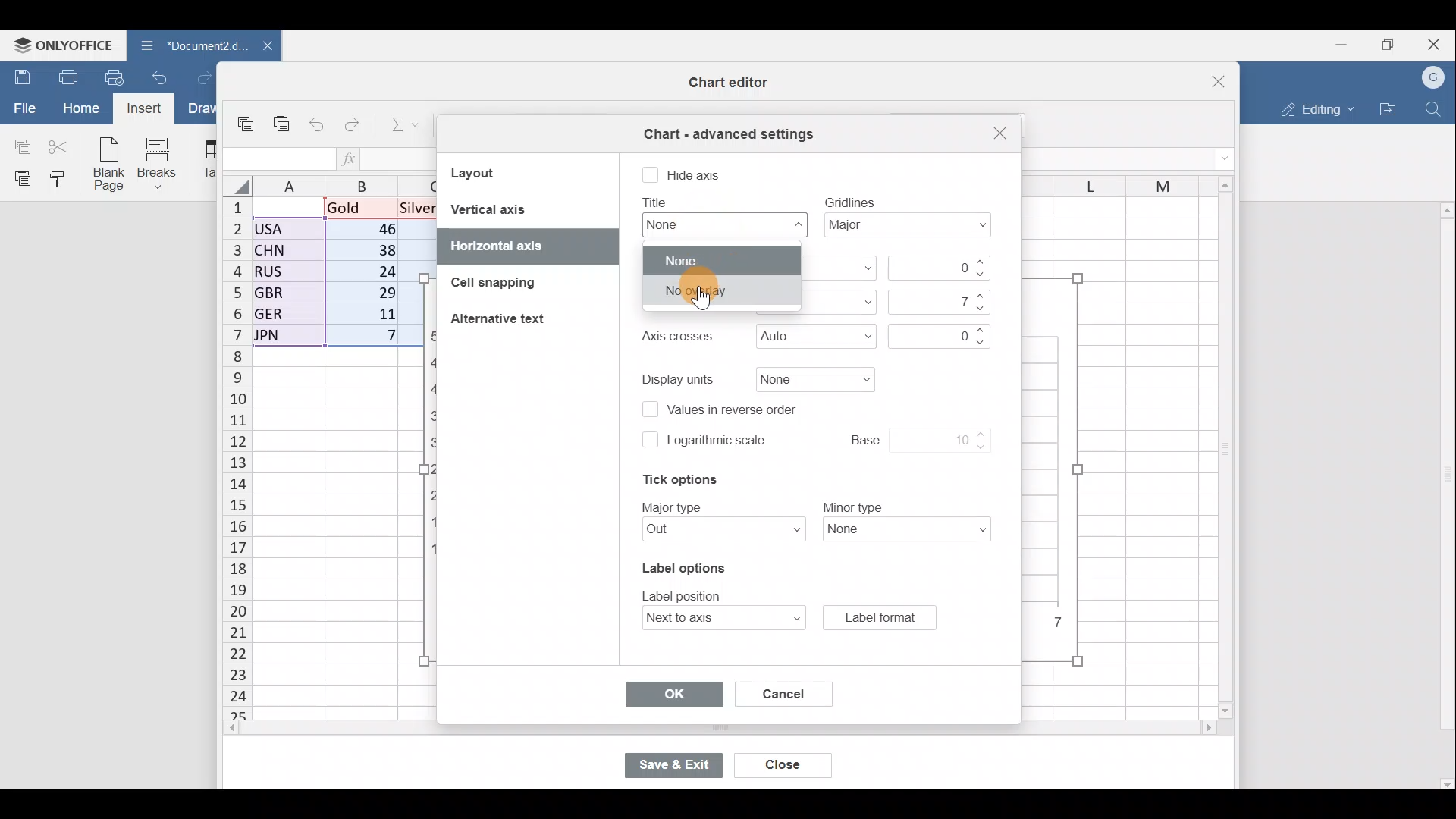  Describe the element at coordinates (724, 83) in the screenshot. I see `Chart editor` at that location.